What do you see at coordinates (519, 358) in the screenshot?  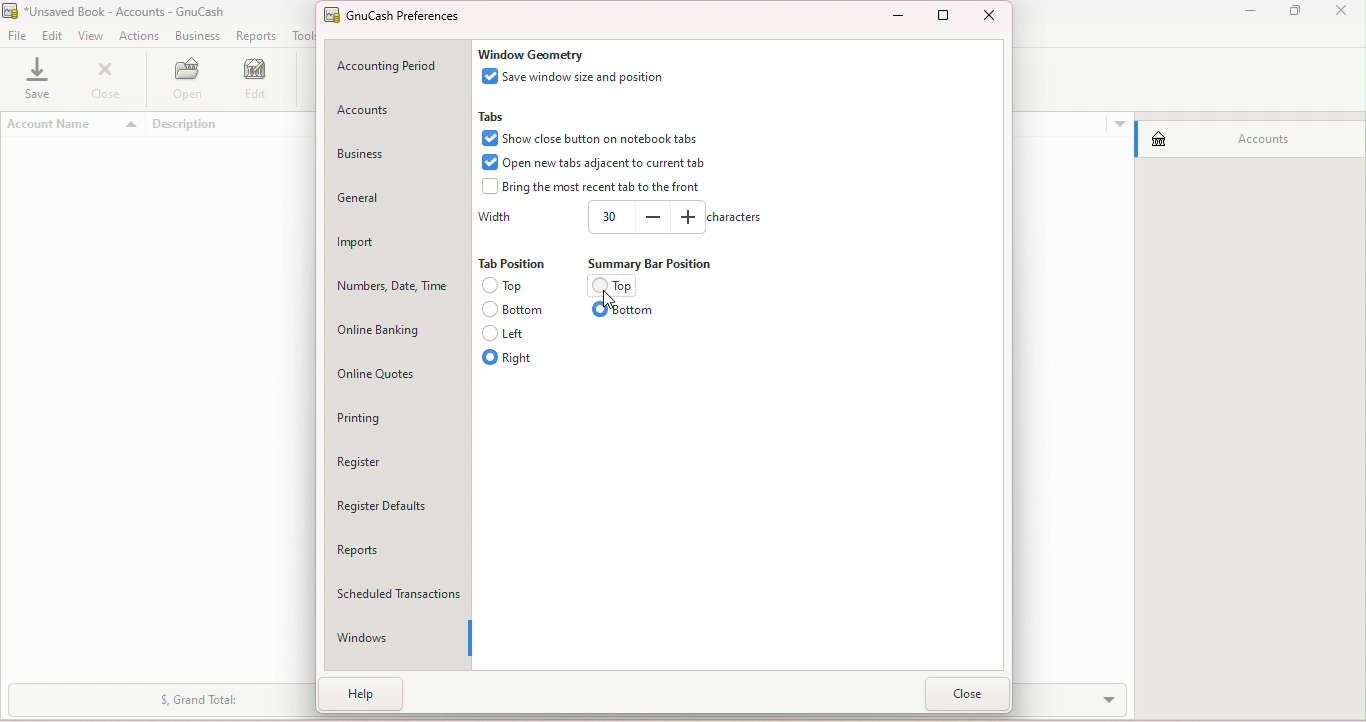 I see `Right` at bounding box center [519, 358].